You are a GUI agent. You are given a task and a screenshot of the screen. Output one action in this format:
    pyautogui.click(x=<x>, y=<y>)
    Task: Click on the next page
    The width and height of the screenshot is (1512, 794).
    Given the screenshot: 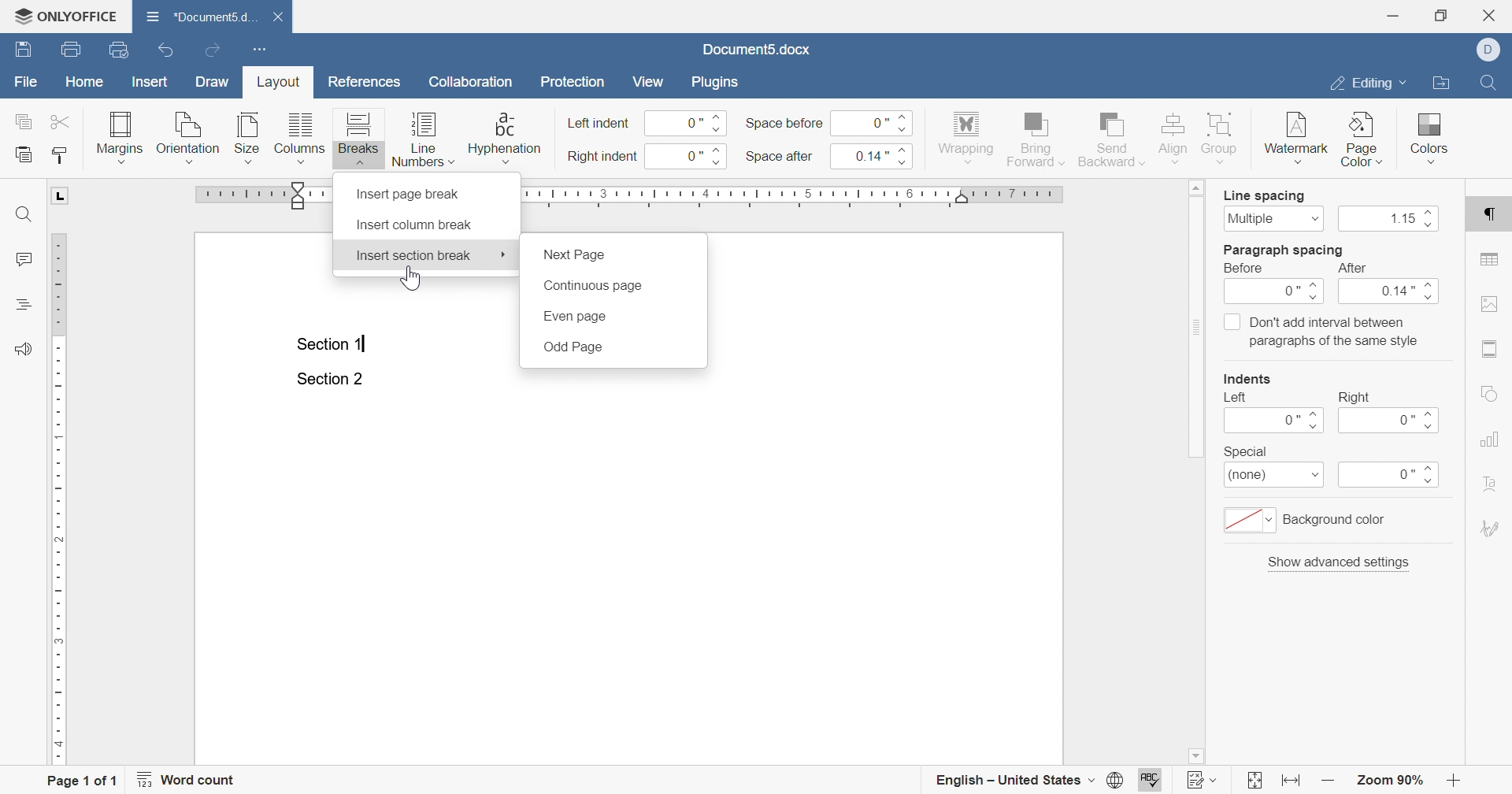 What is the action you would take?
    pyautogui.click(x=576, y=255)
    